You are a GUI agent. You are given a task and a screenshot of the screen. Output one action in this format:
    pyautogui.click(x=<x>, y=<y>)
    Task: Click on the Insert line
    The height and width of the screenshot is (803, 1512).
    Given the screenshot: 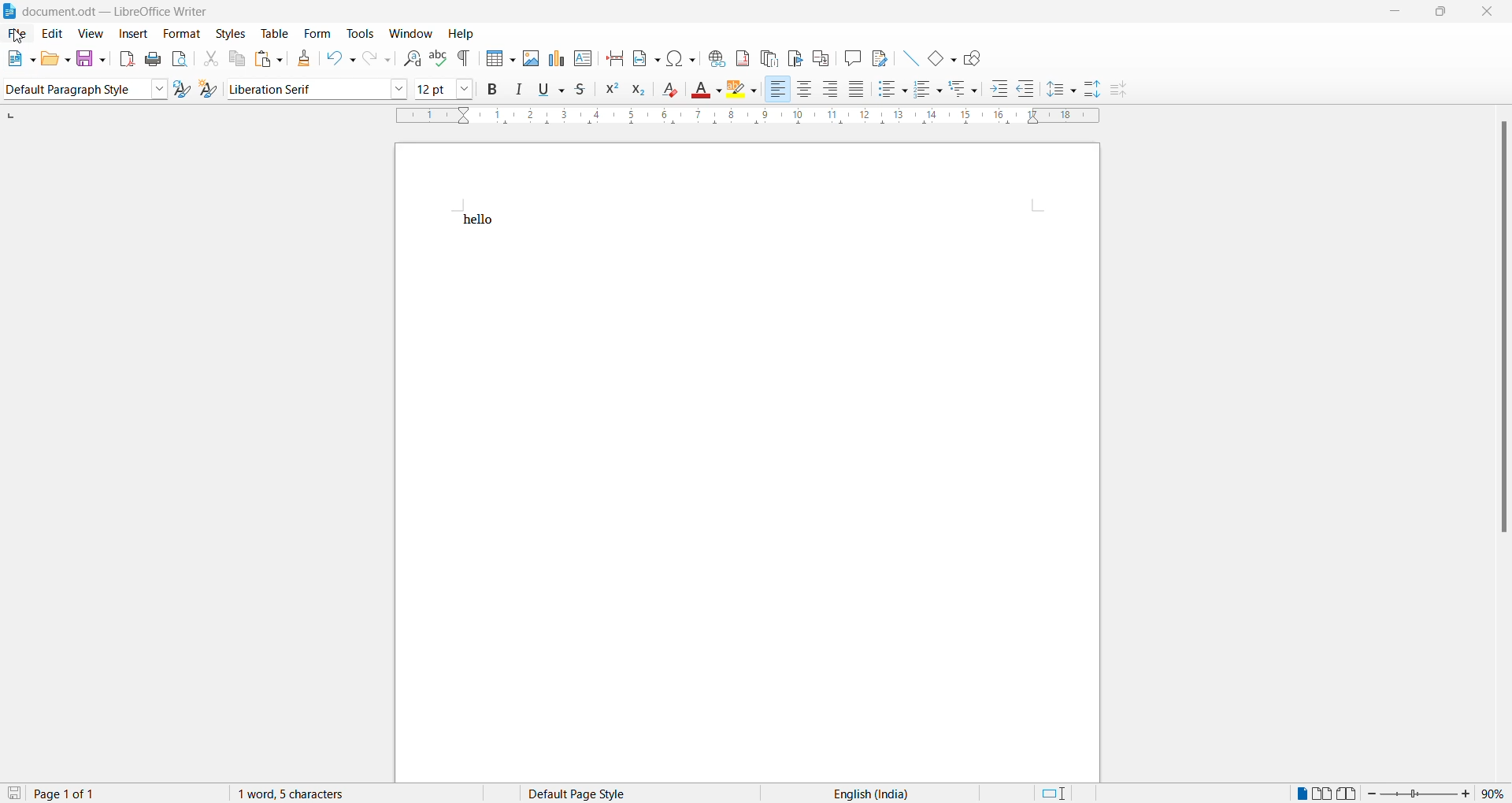 What is the action you would take?
    pyautogui.click(x=910, y=59)
    